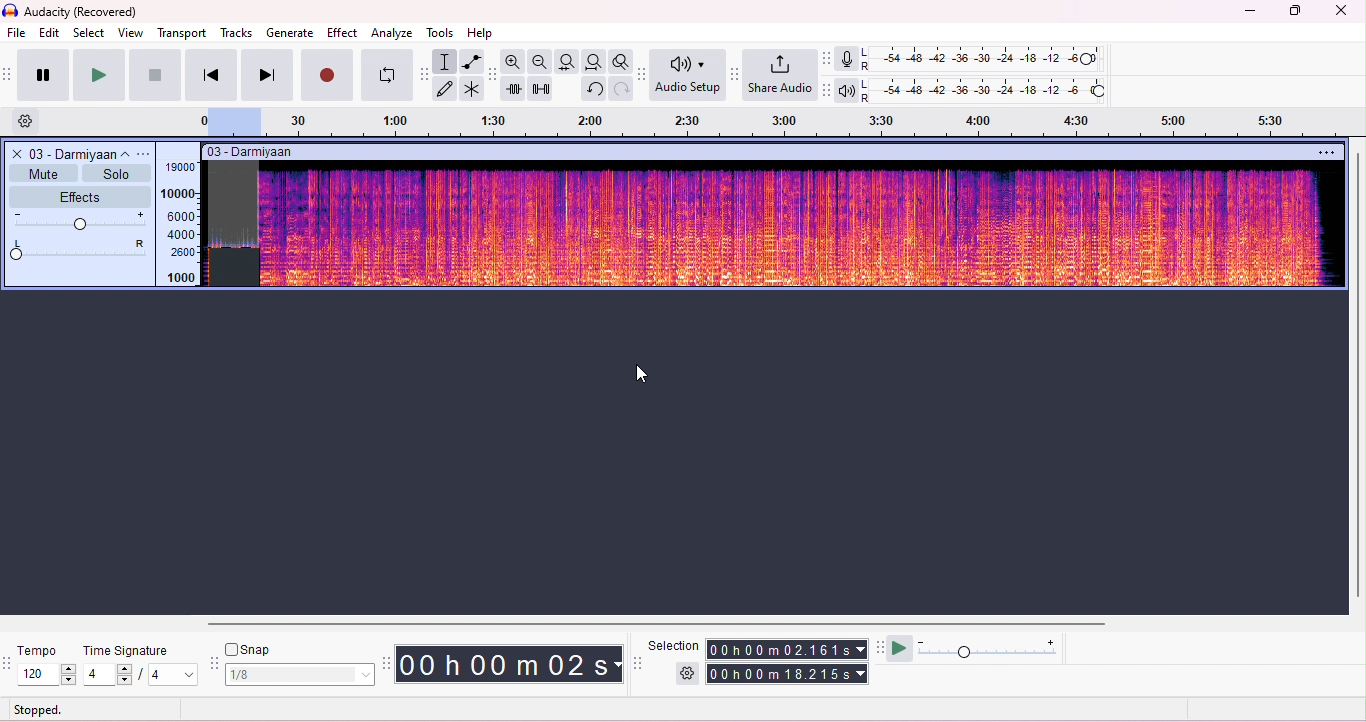 The image size is (1366, 722). I want to click on playback level, so click(988, 90).